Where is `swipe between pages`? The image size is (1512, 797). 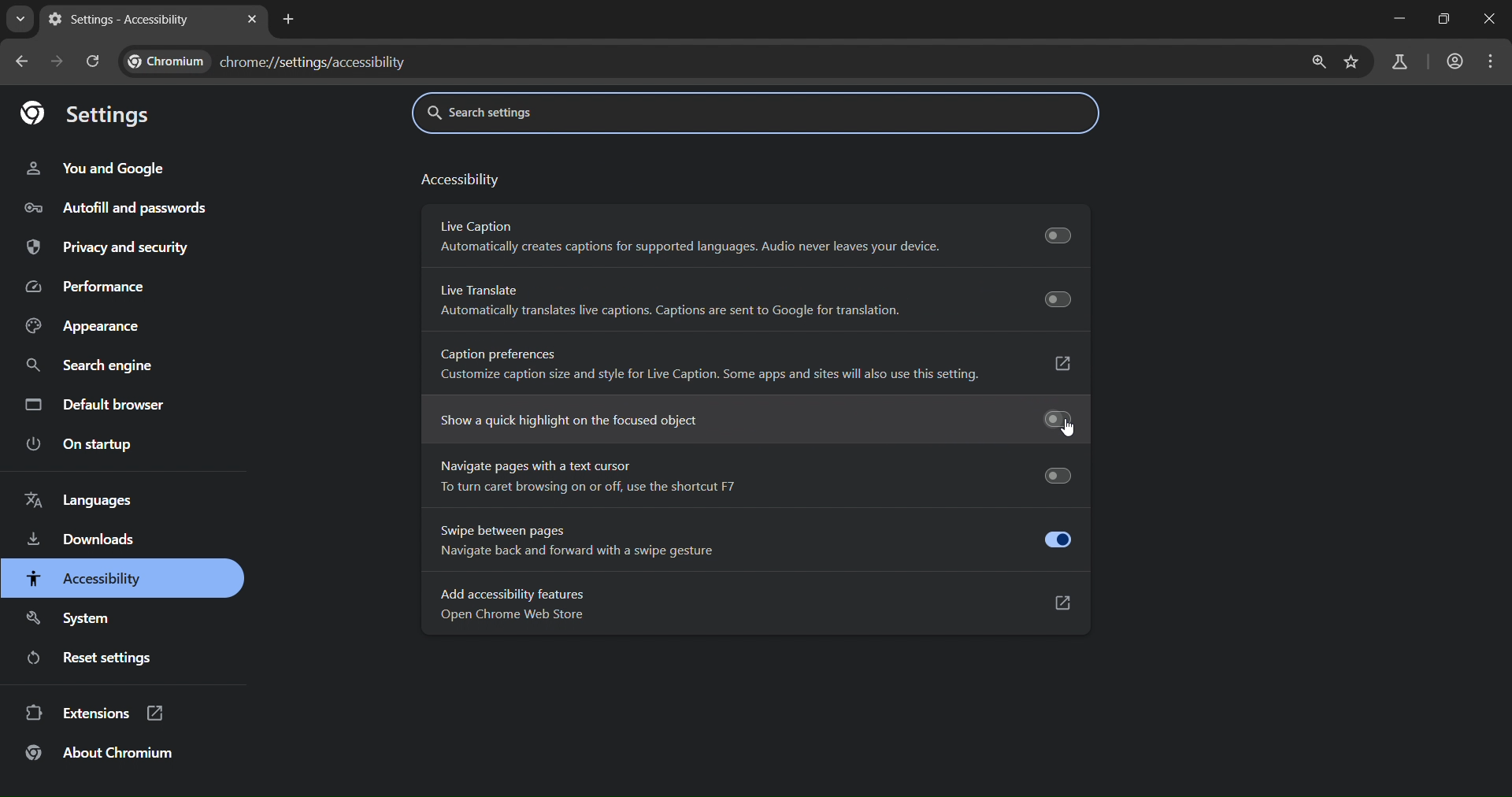 swipe between pages is located at coordinates (613, 541).